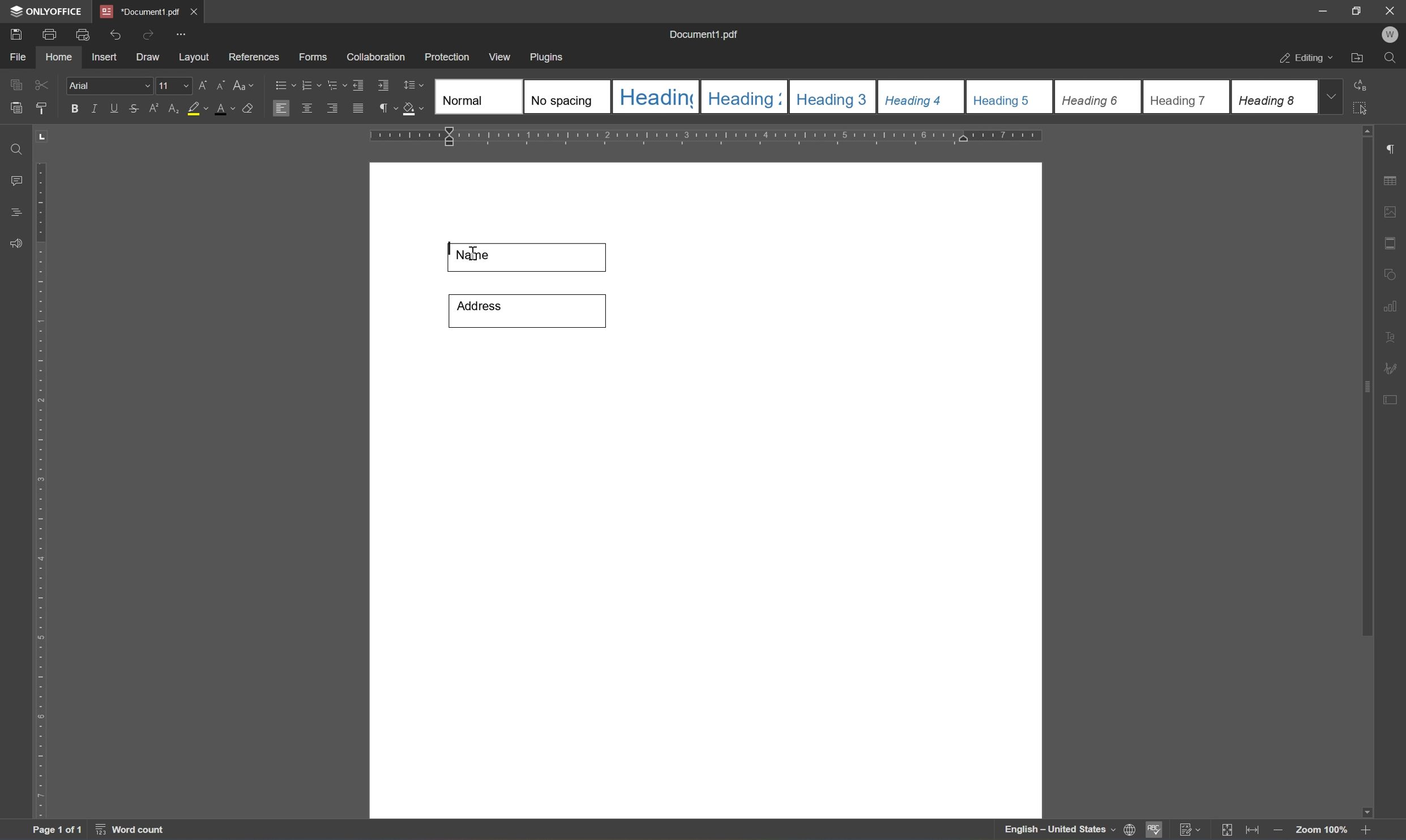 The width and height of the screenshot is (1406, 840). I want to click on chart settings, so click(1393, 307).